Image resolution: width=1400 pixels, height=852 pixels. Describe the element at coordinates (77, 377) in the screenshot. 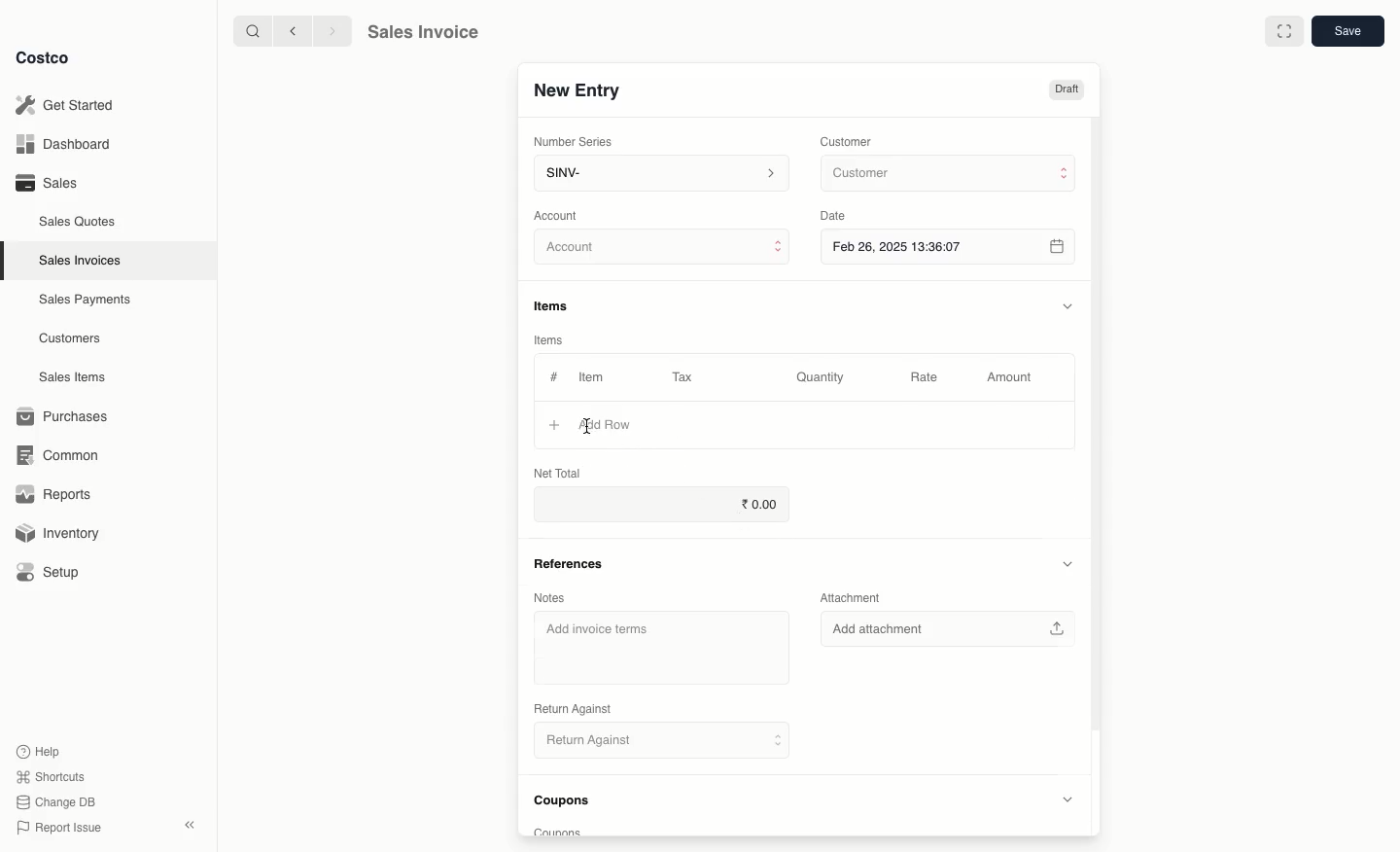

I see `Sales Items` at that location.